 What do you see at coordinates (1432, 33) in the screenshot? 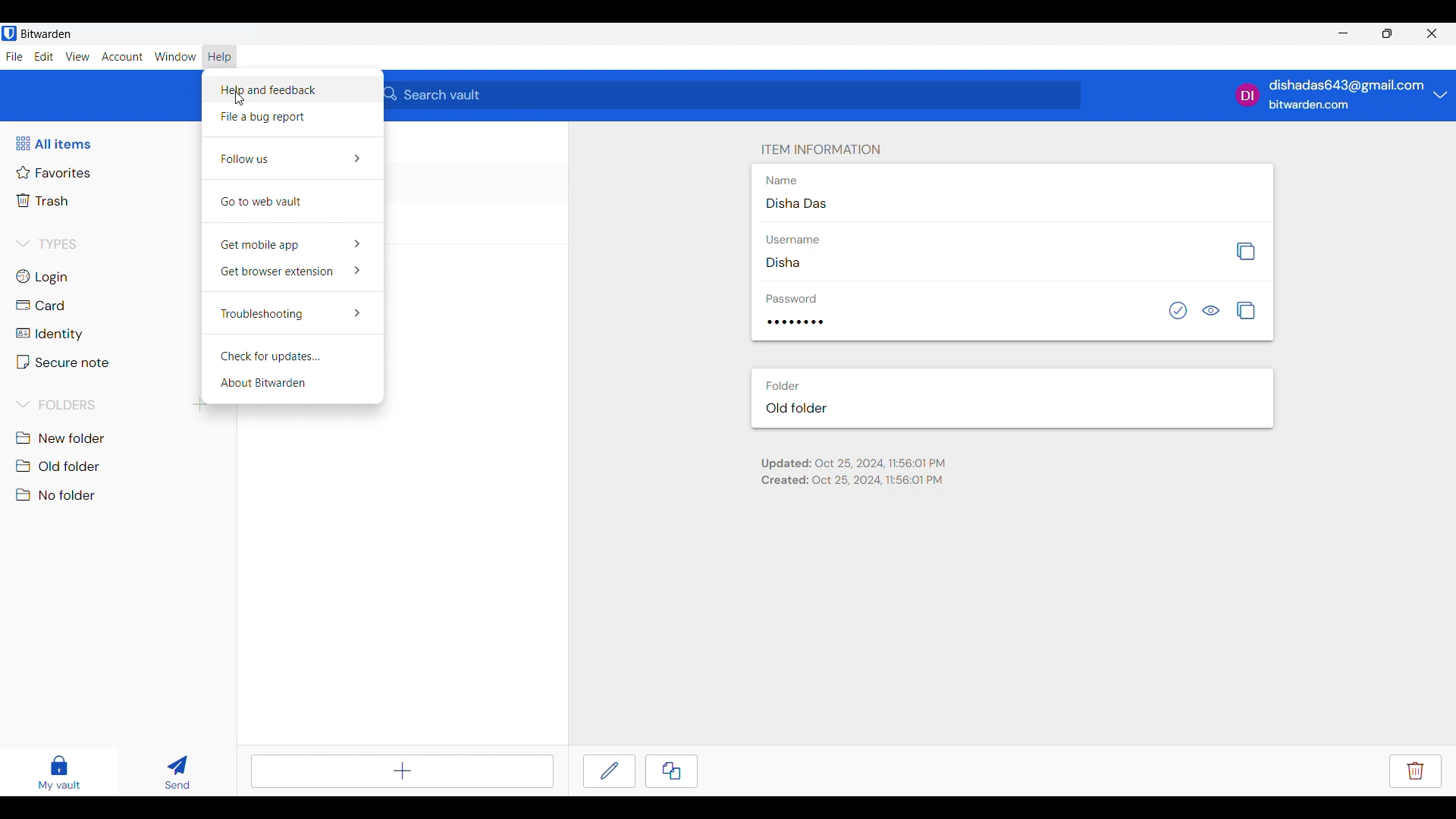
I see `Close interface` at bounding box center [1432, 33].